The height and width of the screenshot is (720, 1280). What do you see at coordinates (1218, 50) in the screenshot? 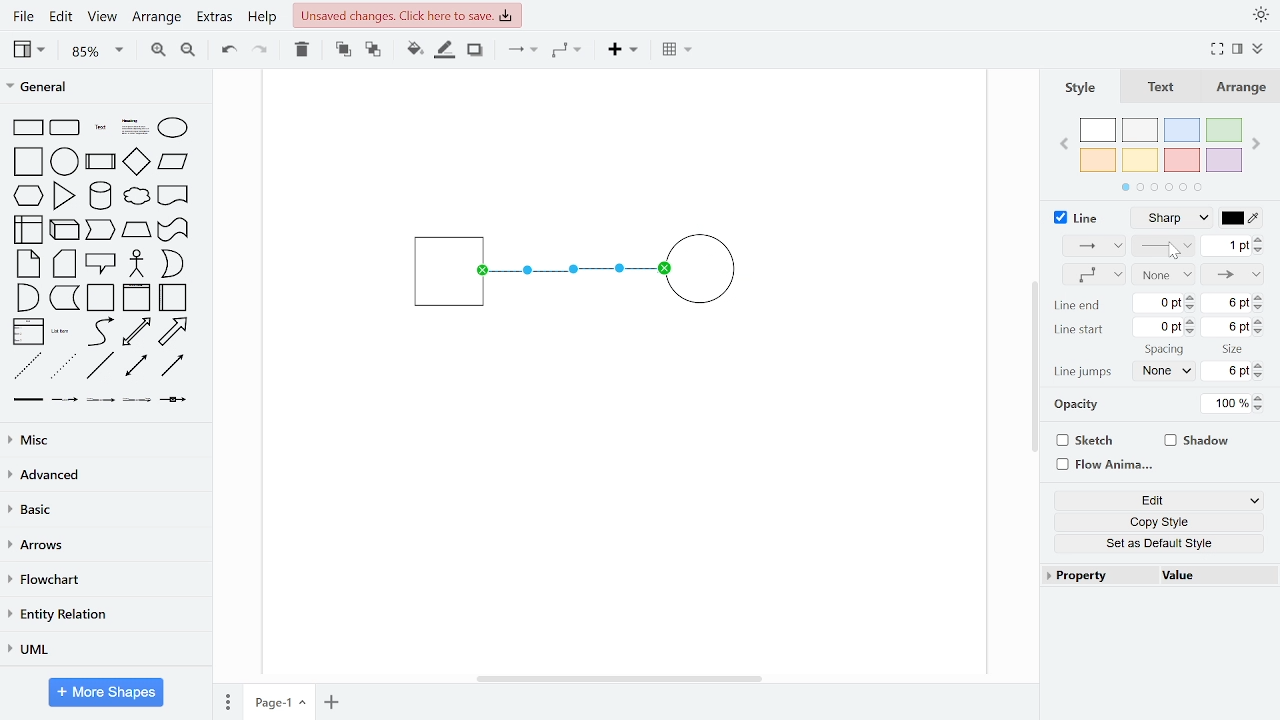
I see `full screen` at bounding box center [1218, 50].